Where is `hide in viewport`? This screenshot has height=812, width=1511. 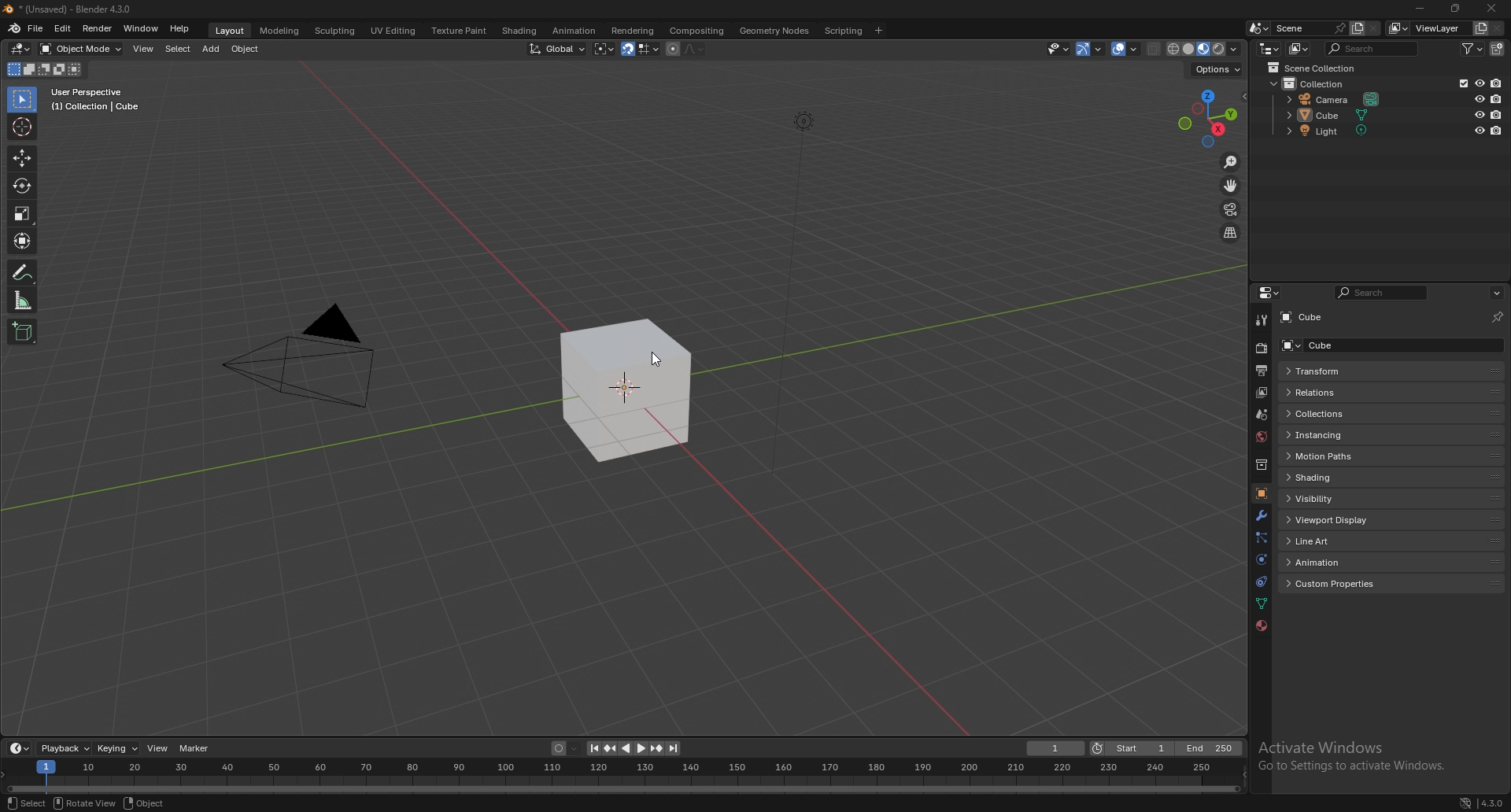
hide in viewport is located at coordinates (1480, 130).